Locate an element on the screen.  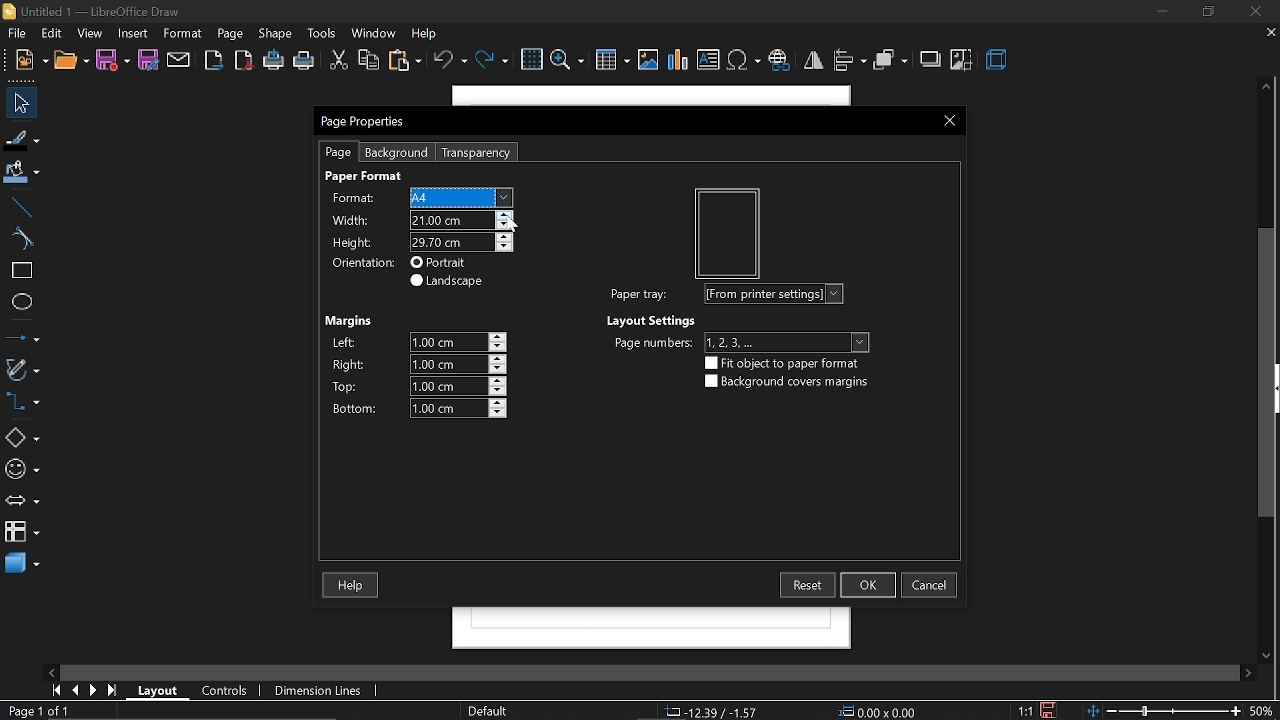
edit is located at coordinates (53, 34).